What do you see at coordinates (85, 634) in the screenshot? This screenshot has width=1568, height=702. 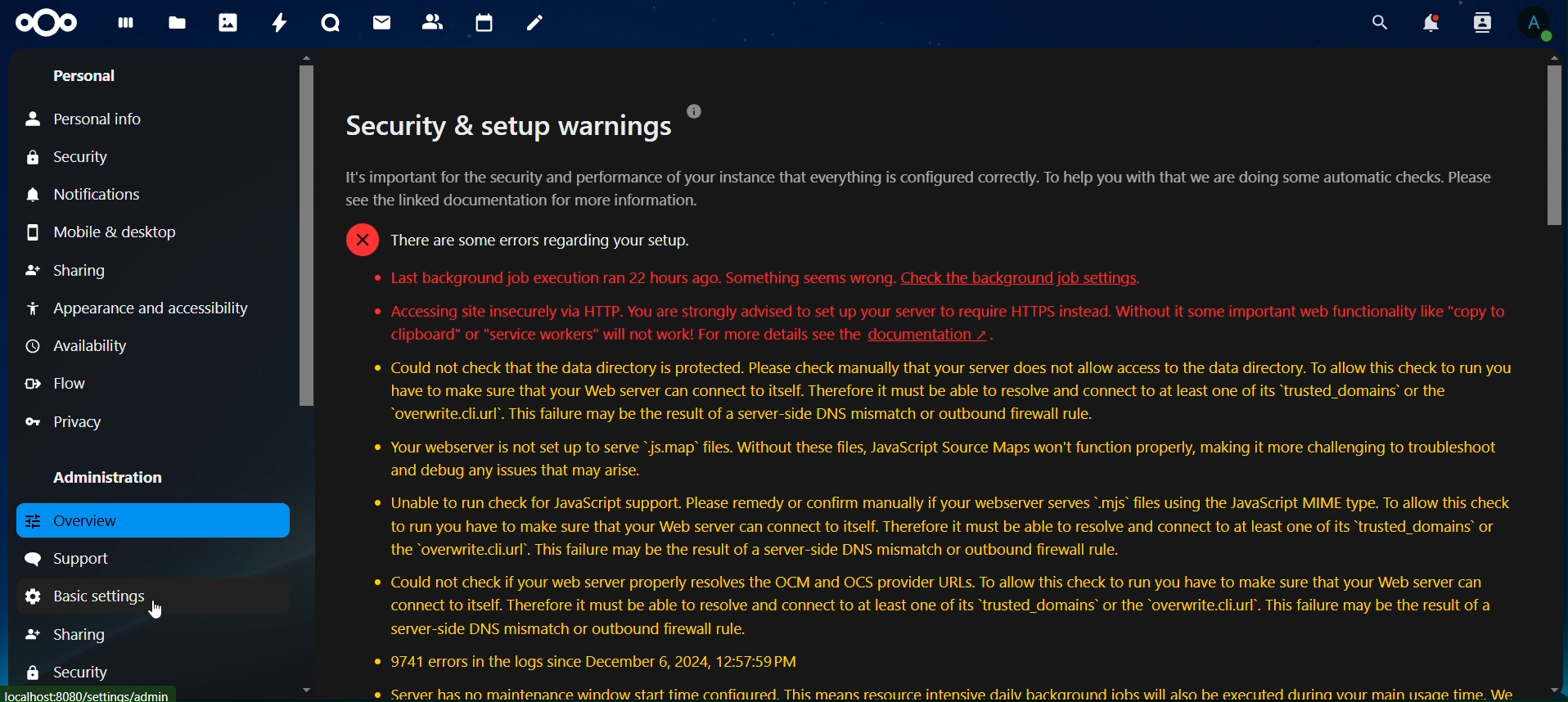 I see `sharing` at bounding box center [85, 634].